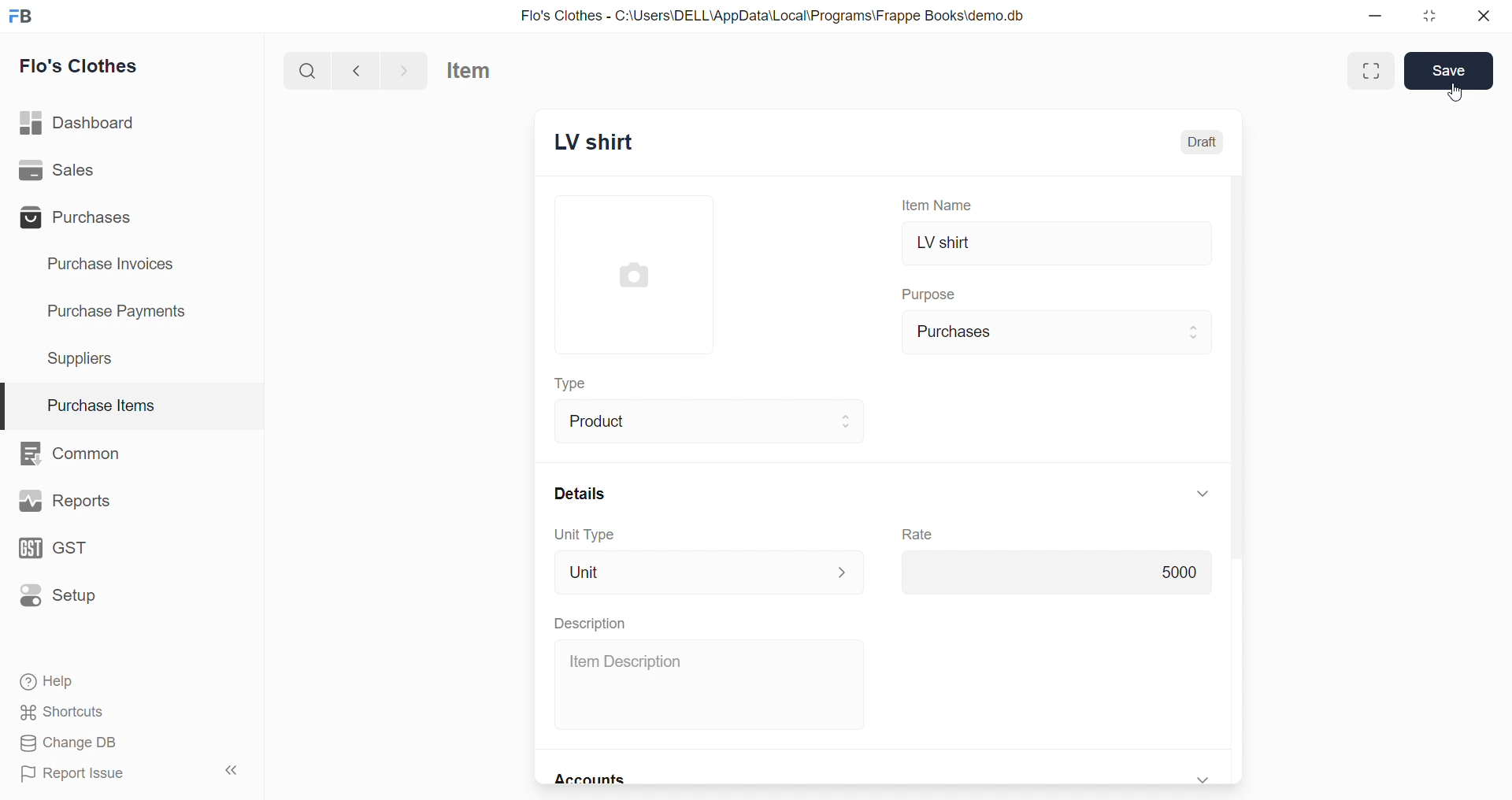 The height and width of the screenshot is (800, 1512). Describe the element at coordinates (583, 535) in the screenshot. I see `Unit Type` at that location.